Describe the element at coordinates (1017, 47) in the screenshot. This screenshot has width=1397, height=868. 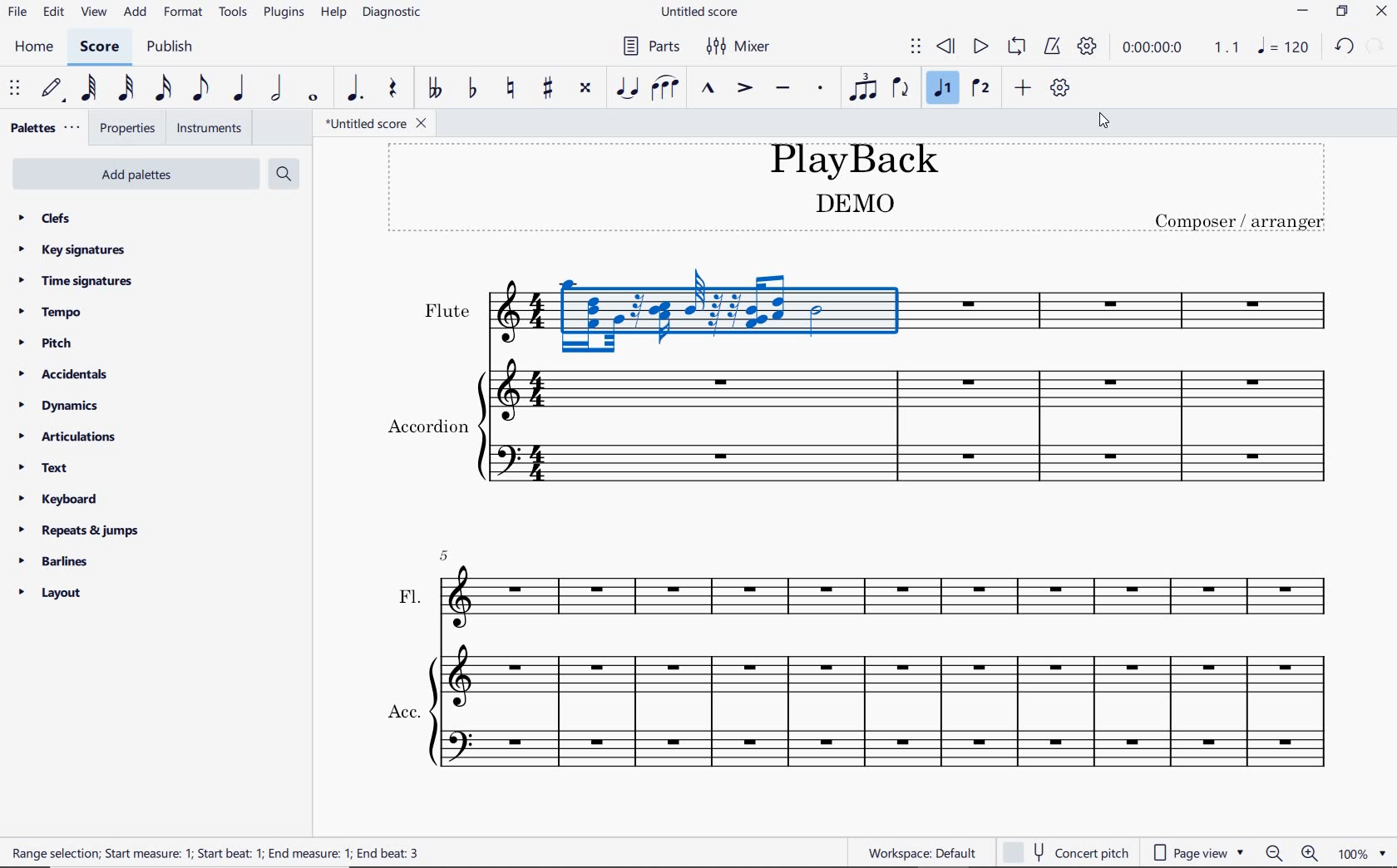
I see `loop playback` at that location.